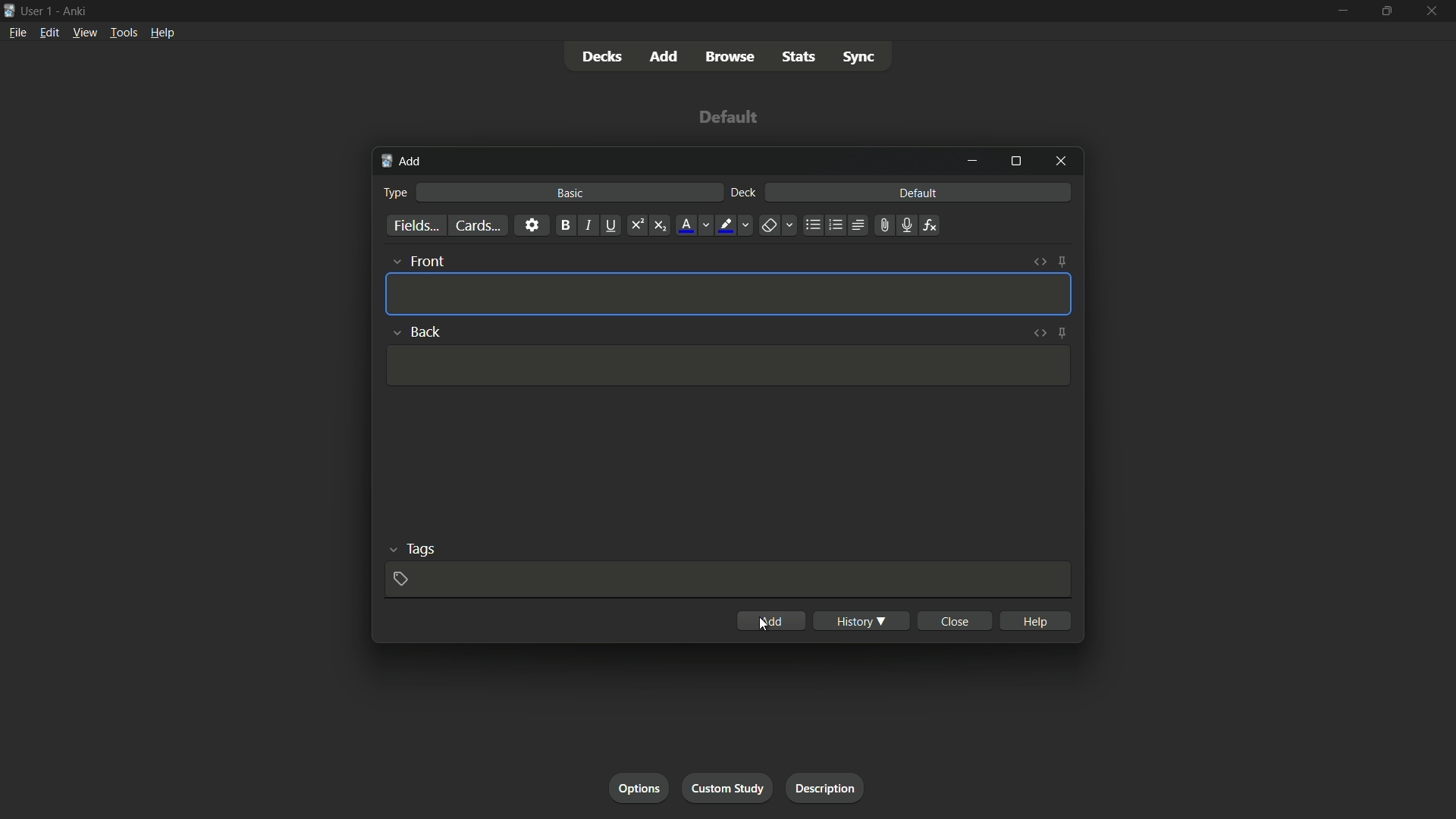 The width and height of the screenshot is (1456, 819). What do you see at coordinates (1061, 162) in the screenshot?
I see `close` at bounding box center [1061, 162].